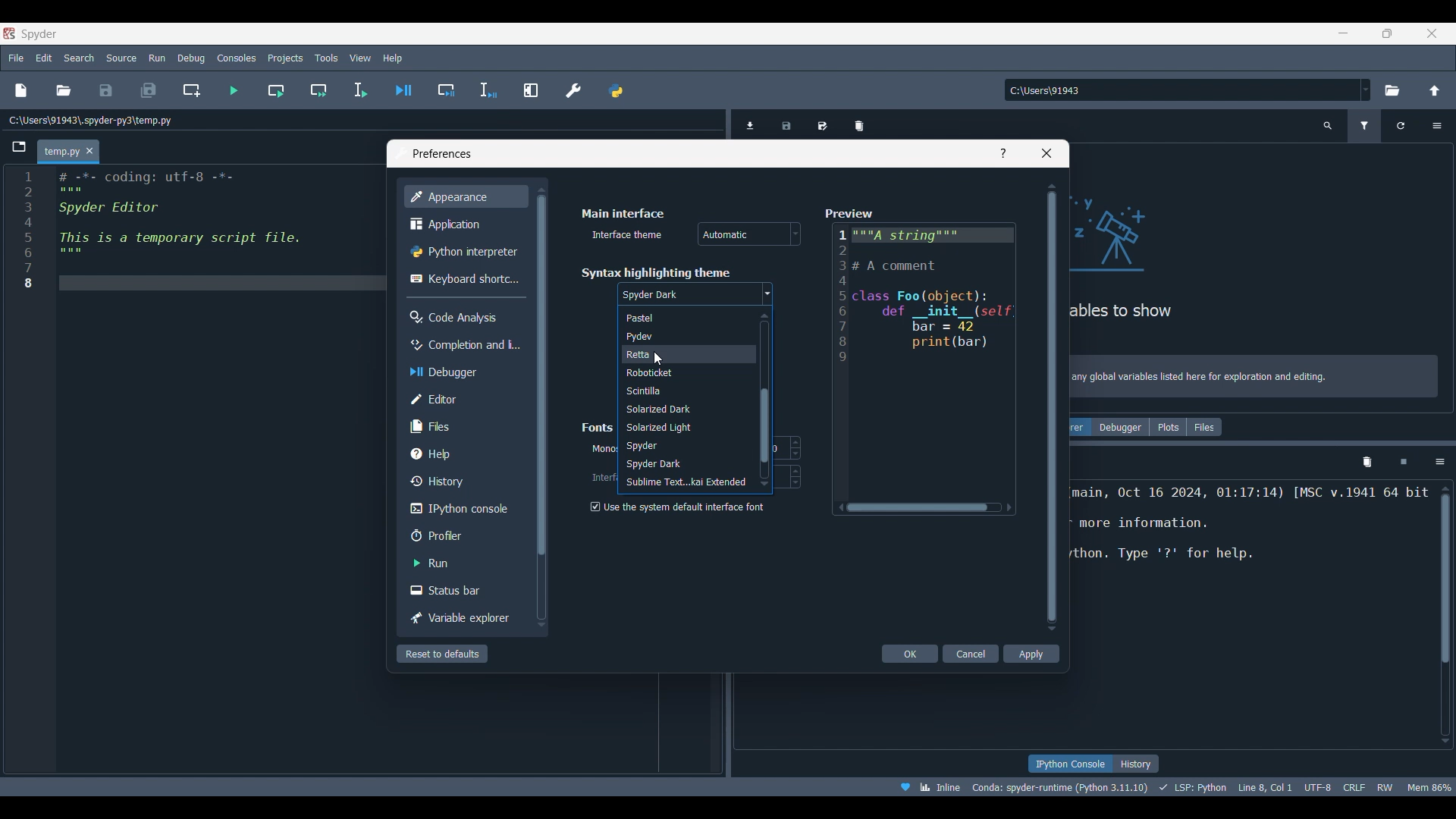 The height and width of the screenshot is (819, 1456). What do you see at coordinates (676, 507) in the screenshot?
I see `Toggle for system default interface font` at bounding box center [676, 507].